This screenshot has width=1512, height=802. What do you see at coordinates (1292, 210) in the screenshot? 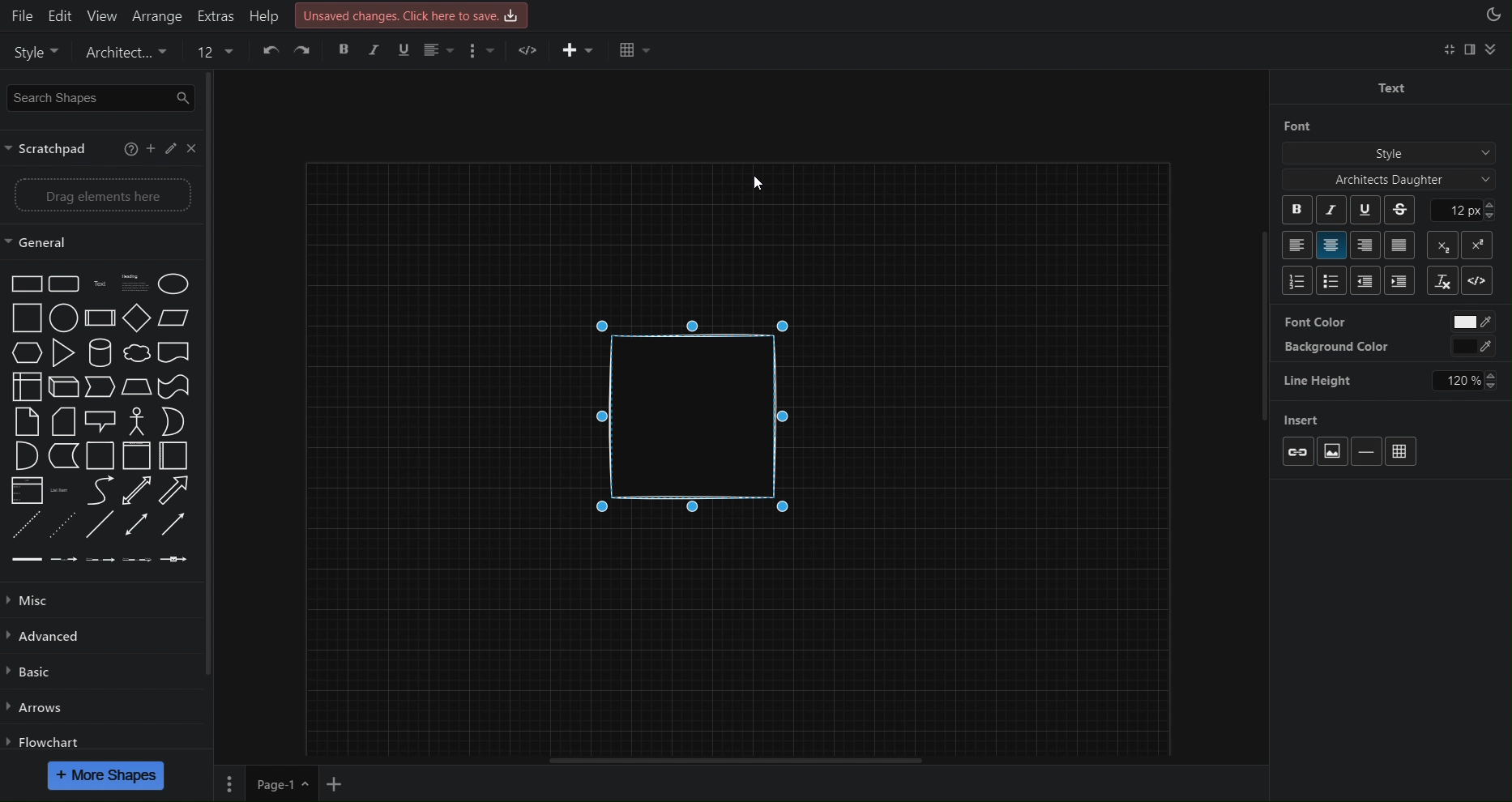
I see `Bold` at bounding box center [1292, 210].